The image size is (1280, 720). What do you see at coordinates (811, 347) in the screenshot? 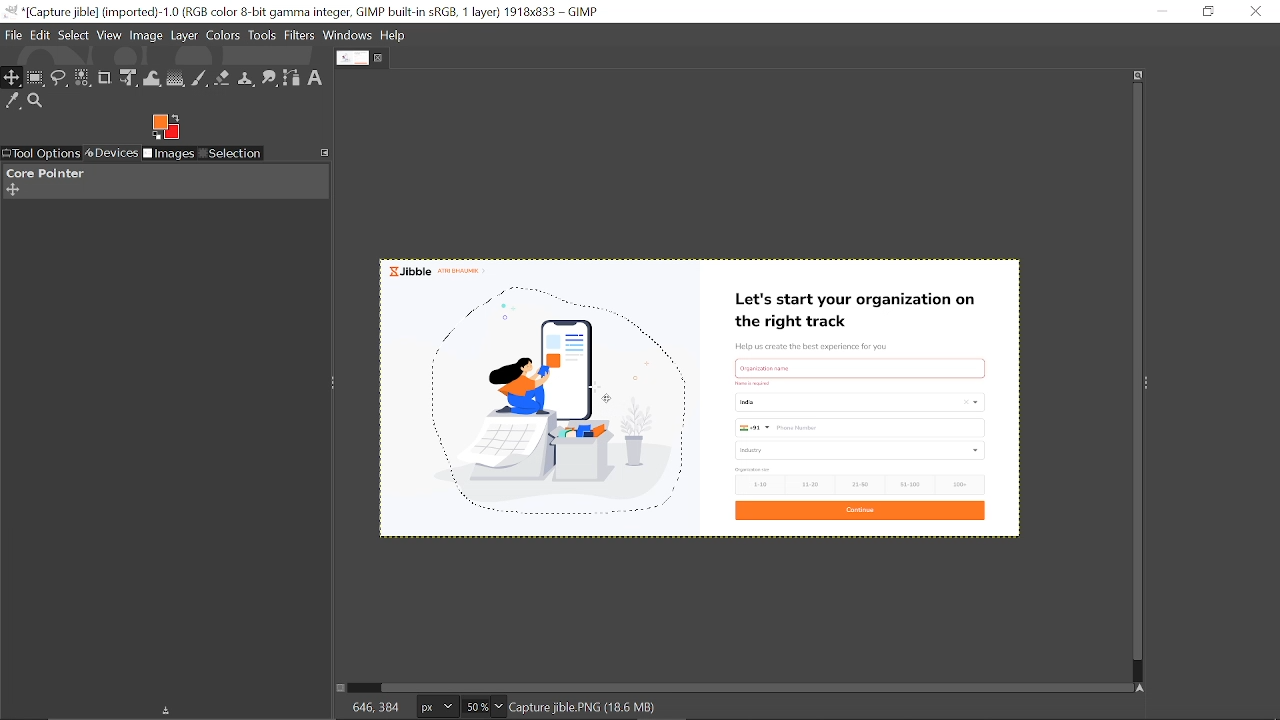
I see `Help us create the best experience for you` at bounding box center [811, 347].